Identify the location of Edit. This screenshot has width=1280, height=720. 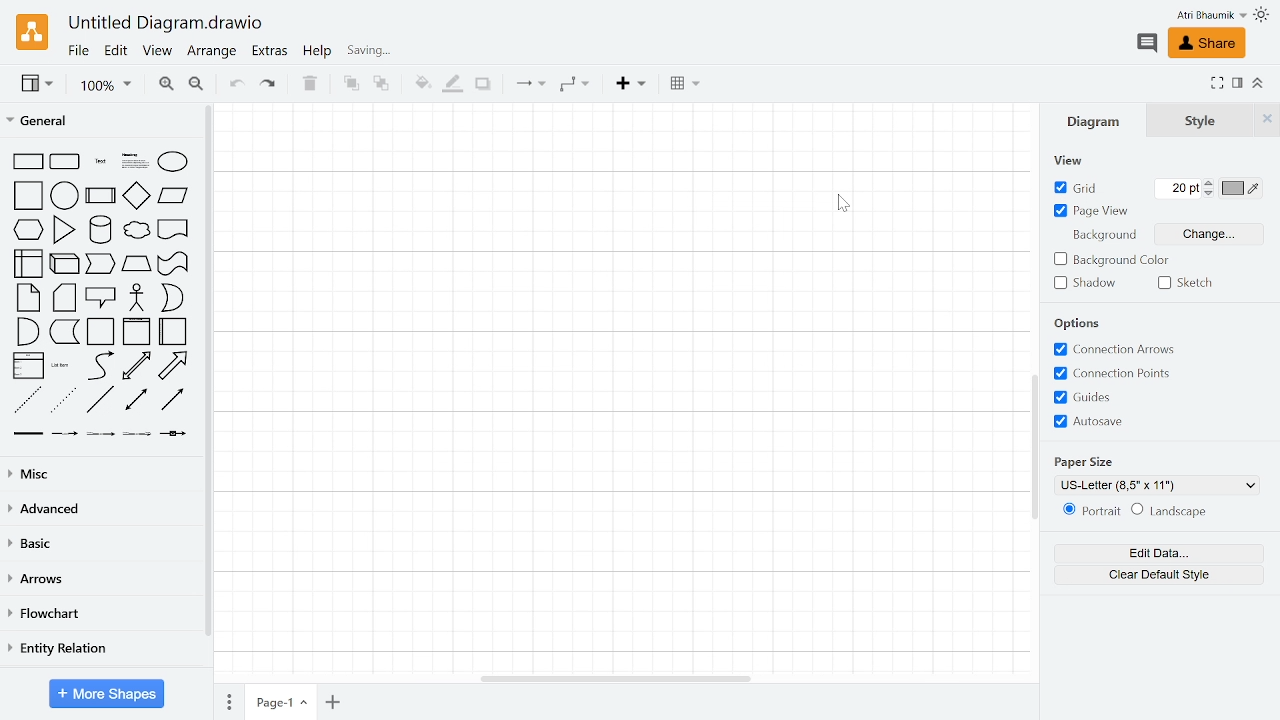
(118, 51).